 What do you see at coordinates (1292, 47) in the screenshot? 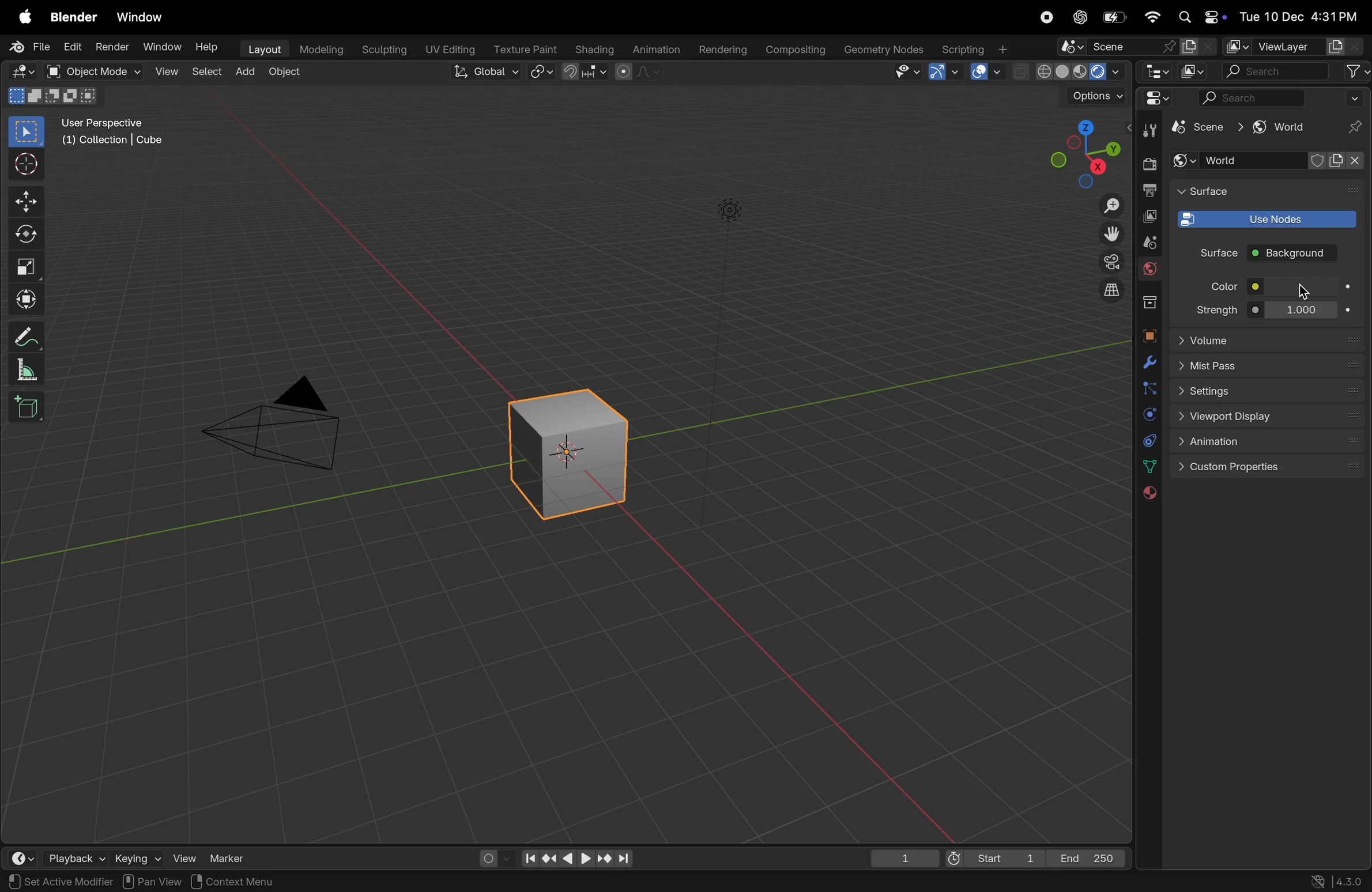
I see `View layer` at bounding box center [1292, 47].